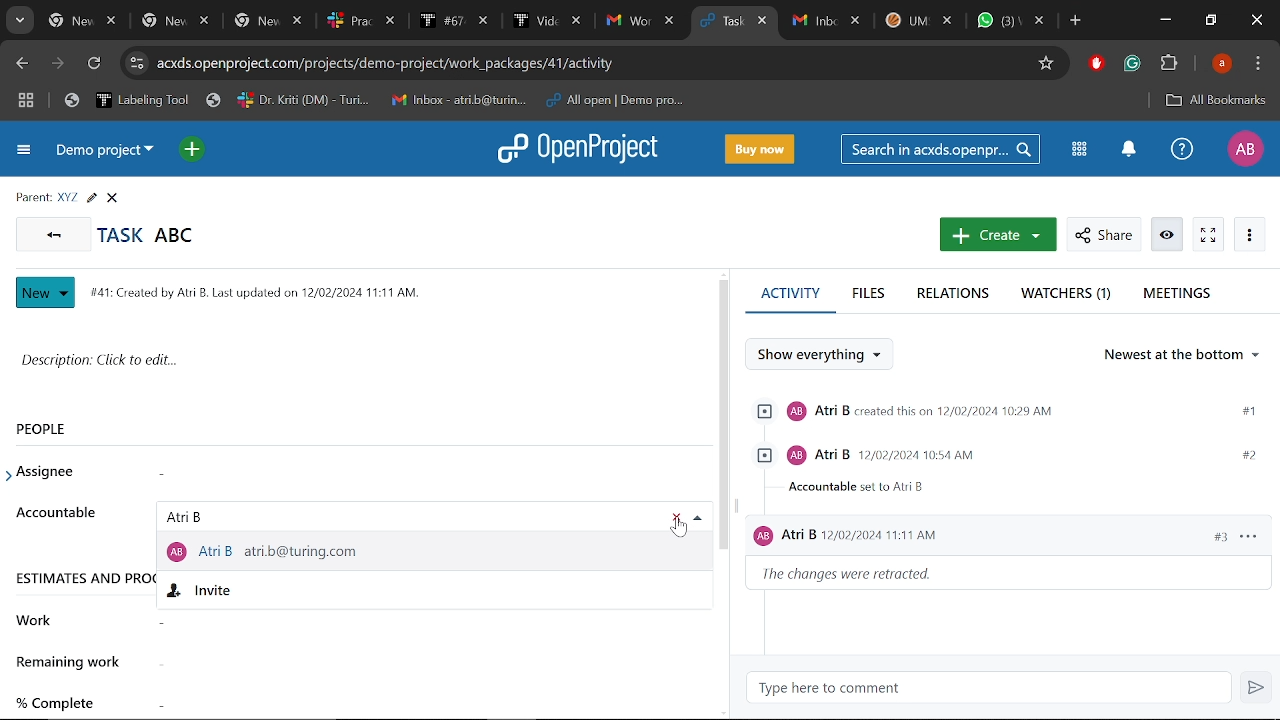 The height and width of the screenshot is (720, 1280). What do you see at coordinates (26, 103) in the screenshot?
I see `Tab groups` at bounding box center [26, 103].